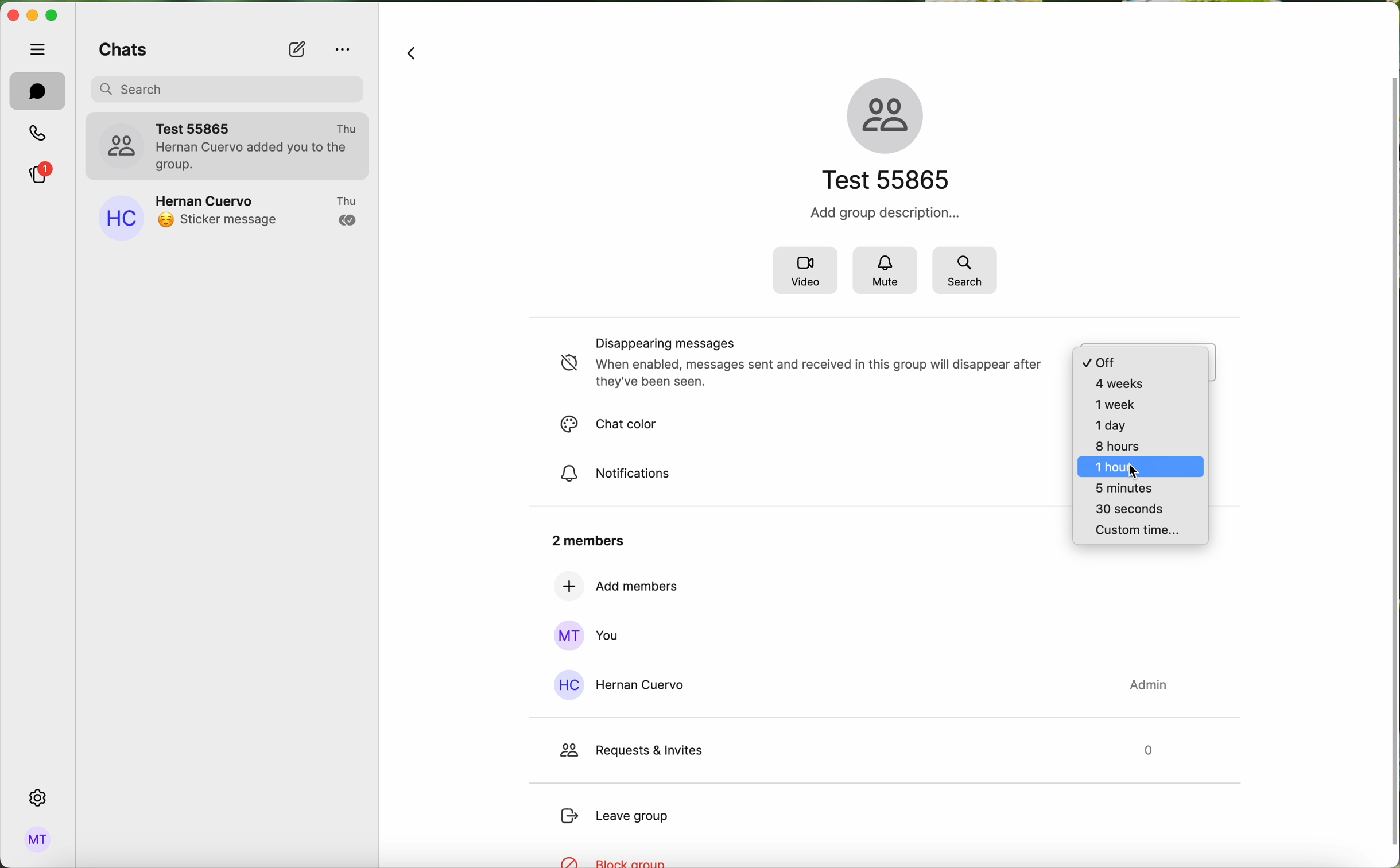 The image size is (1400, 868). Describe the element at coordinates (617, 587) in the screenshot. I see `add members` at that location.